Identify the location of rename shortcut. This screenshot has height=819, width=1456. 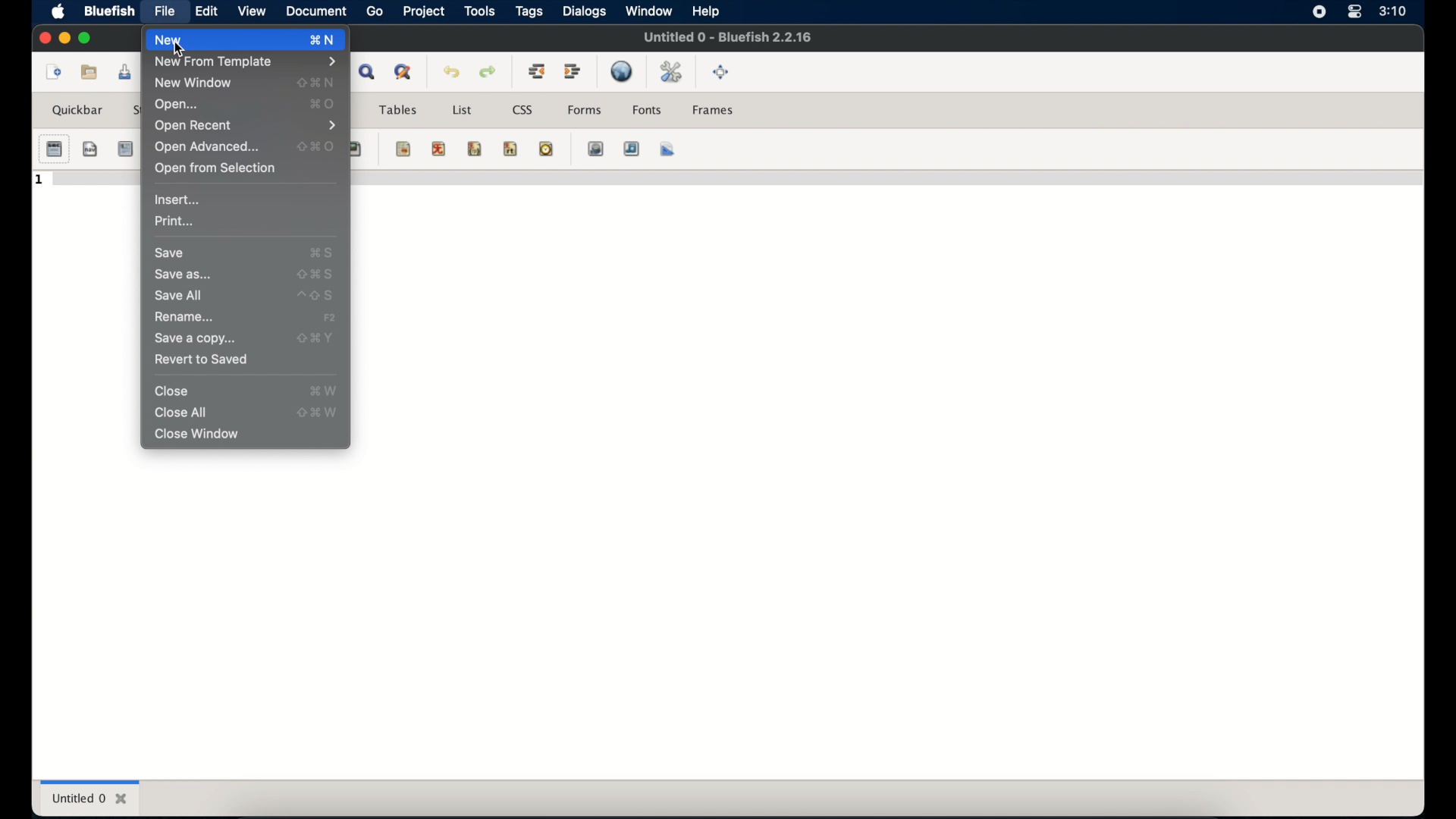
(330, 317).